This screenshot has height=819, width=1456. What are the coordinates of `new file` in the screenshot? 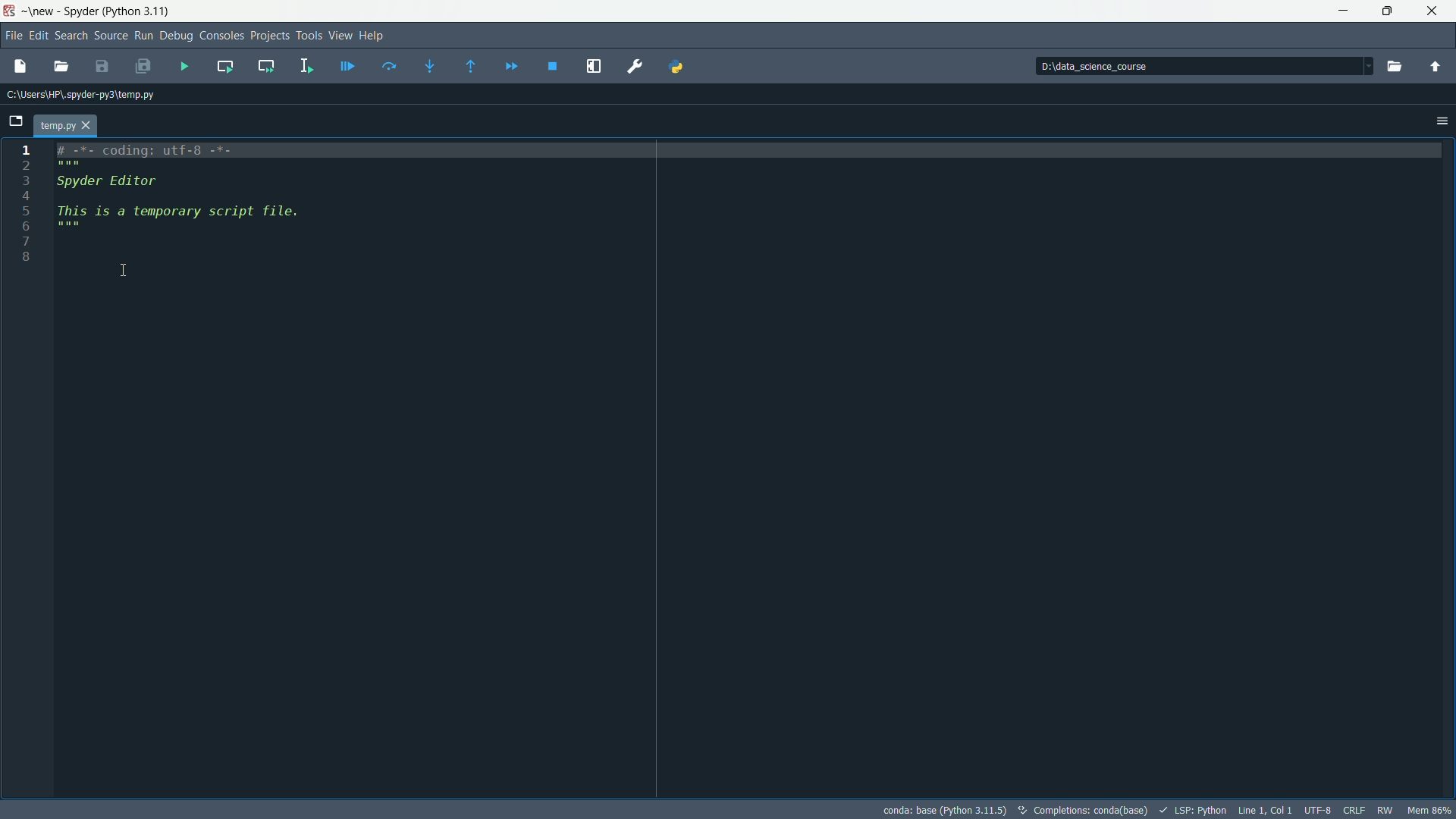 It's located at (17, 69).